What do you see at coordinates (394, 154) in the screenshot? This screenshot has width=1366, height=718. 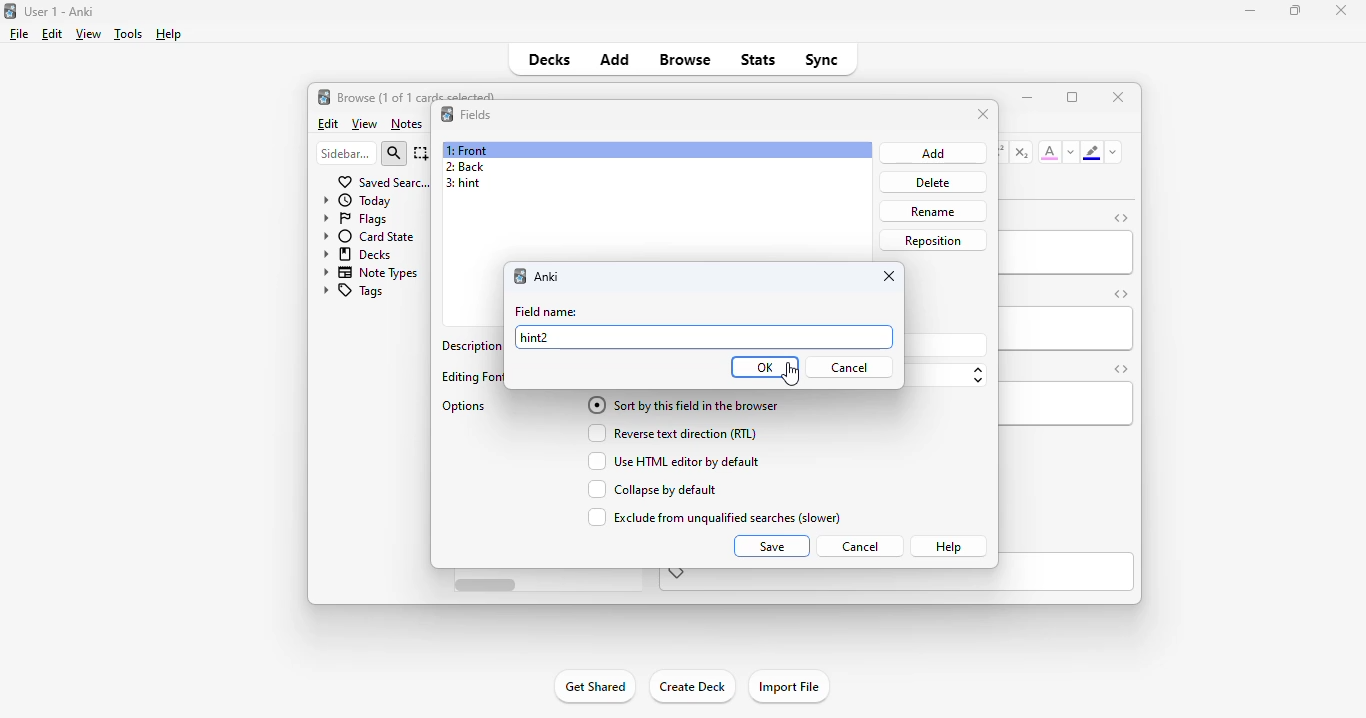 I see `search` at bounding box center [394, 154].